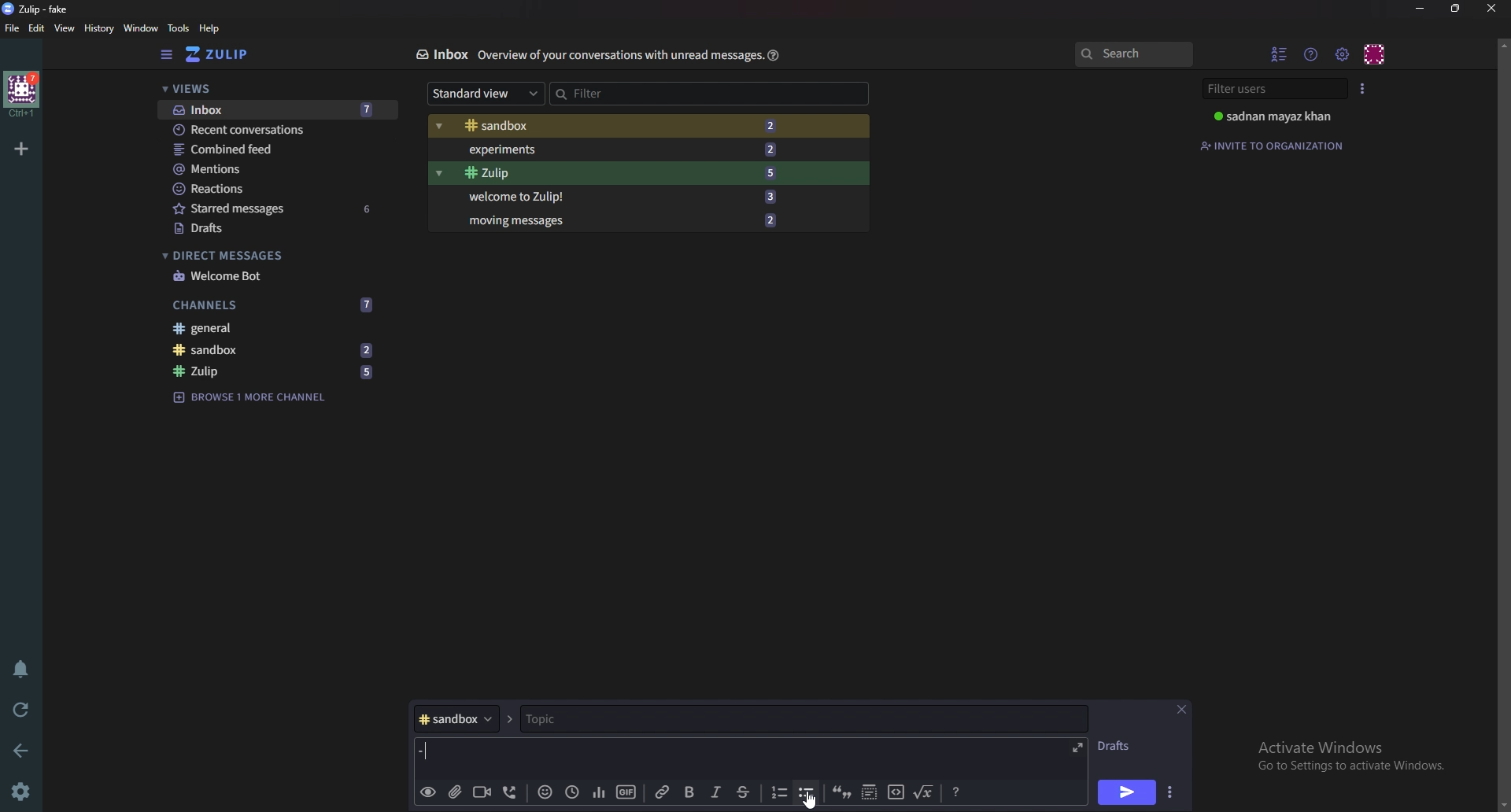 This screenshot has height=812, width=1511. Describe the element at coordinates (1422, 9) in the screenshot. I see `Minimize` at that location.